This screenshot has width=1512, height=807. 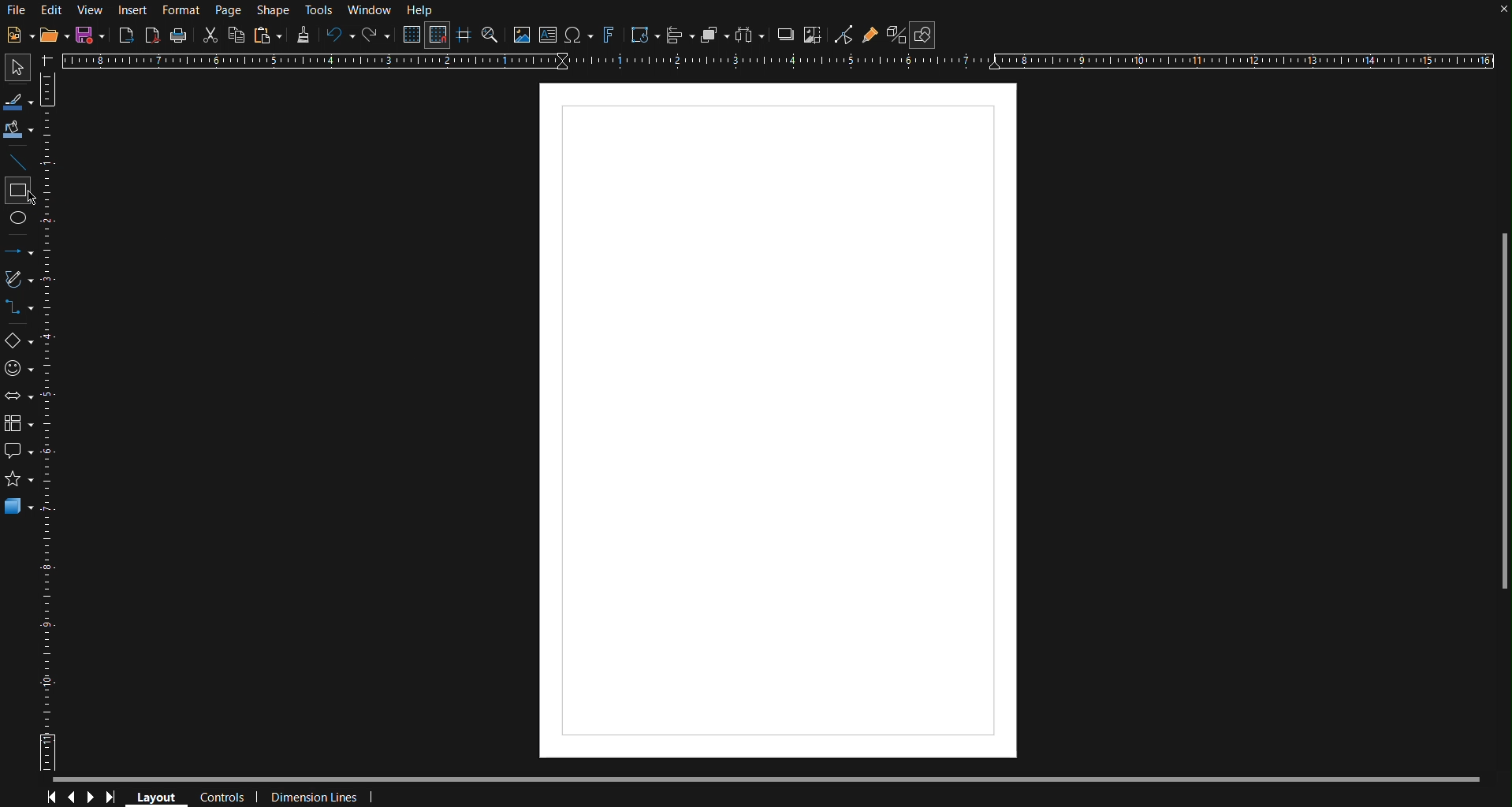 I want to click on Flowchart, so click(x=20, y=426).